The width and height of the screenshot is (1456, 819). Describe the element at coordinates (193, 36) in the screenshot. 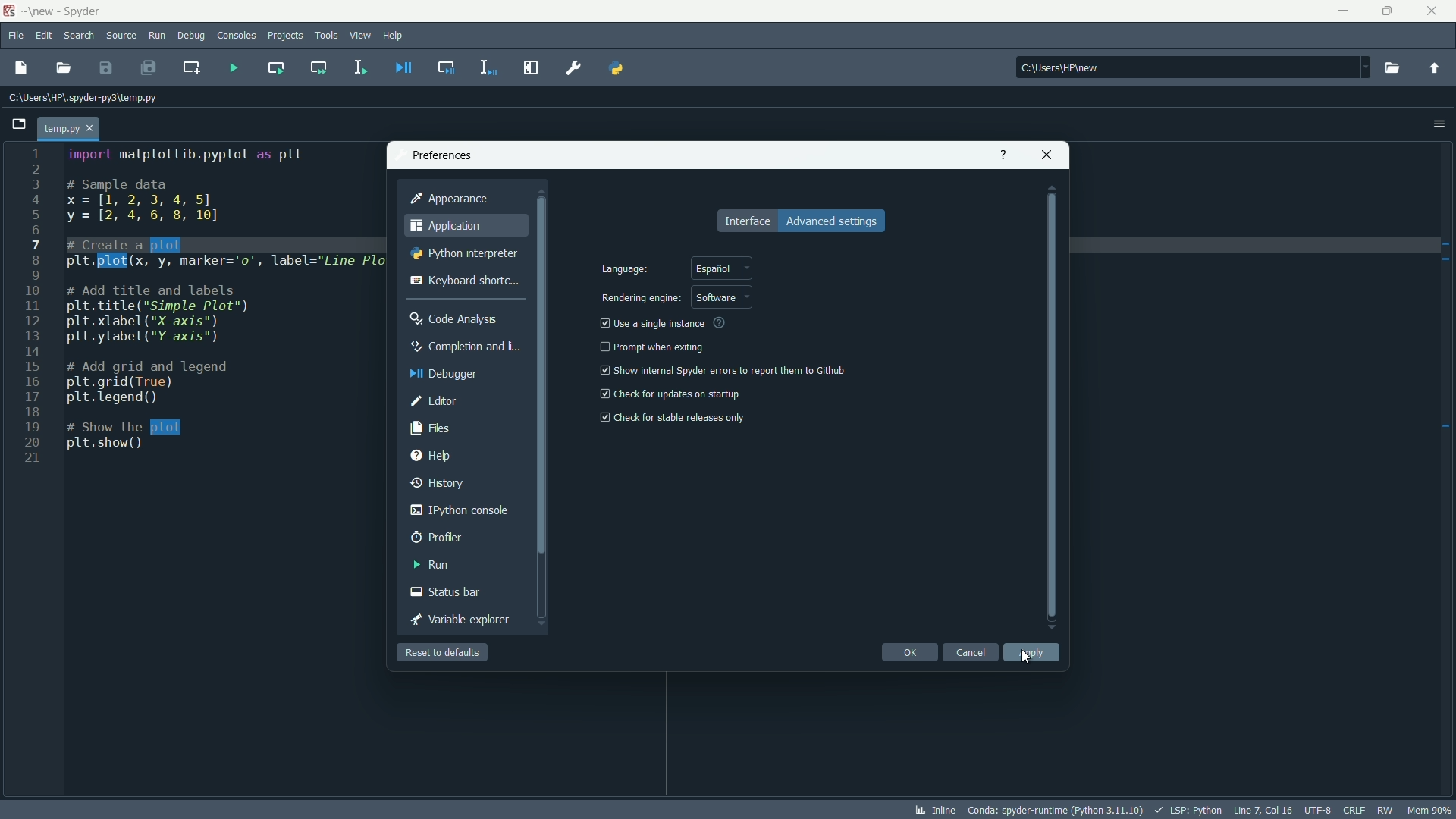

I see `debug` at that location.